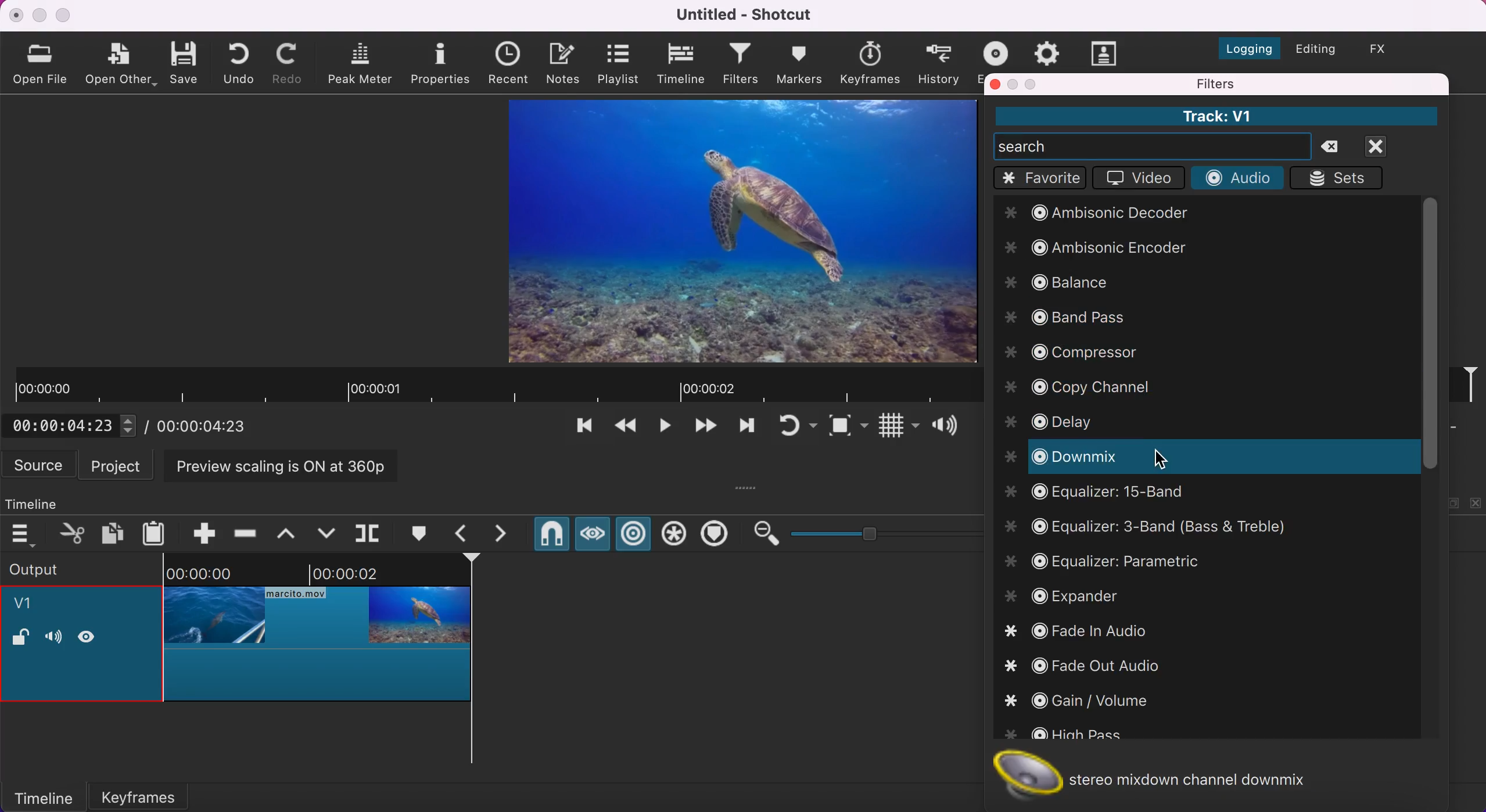 This screenshot has height=812, width=1486. What do you see at coordinates (114, 532) in the screenshot?
I see `copy` at bounding box center [114, 532].